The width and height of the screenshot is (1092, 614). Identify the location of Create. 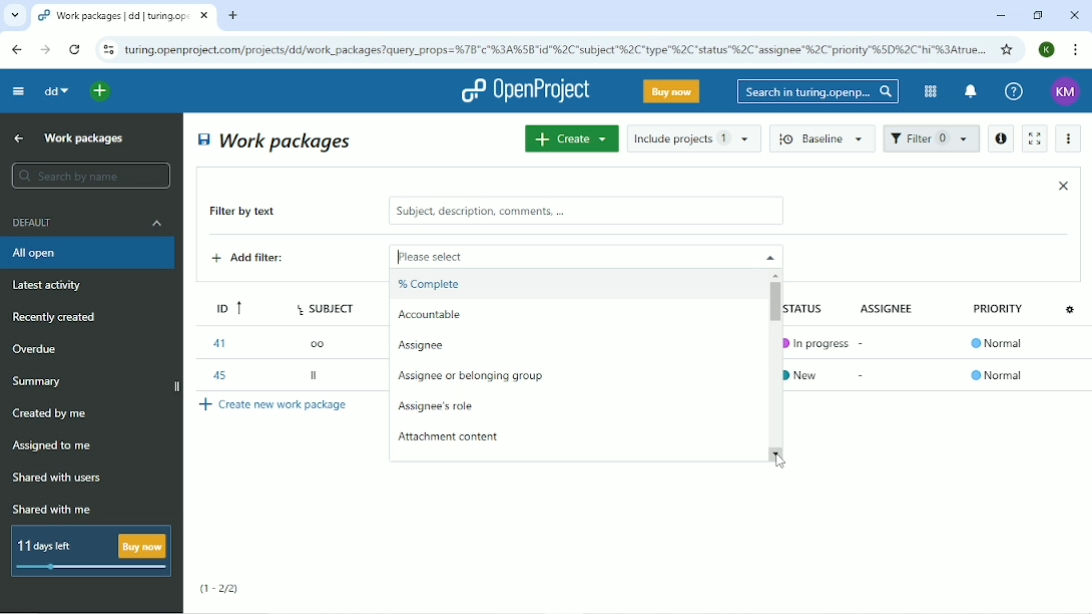
(571, 138).